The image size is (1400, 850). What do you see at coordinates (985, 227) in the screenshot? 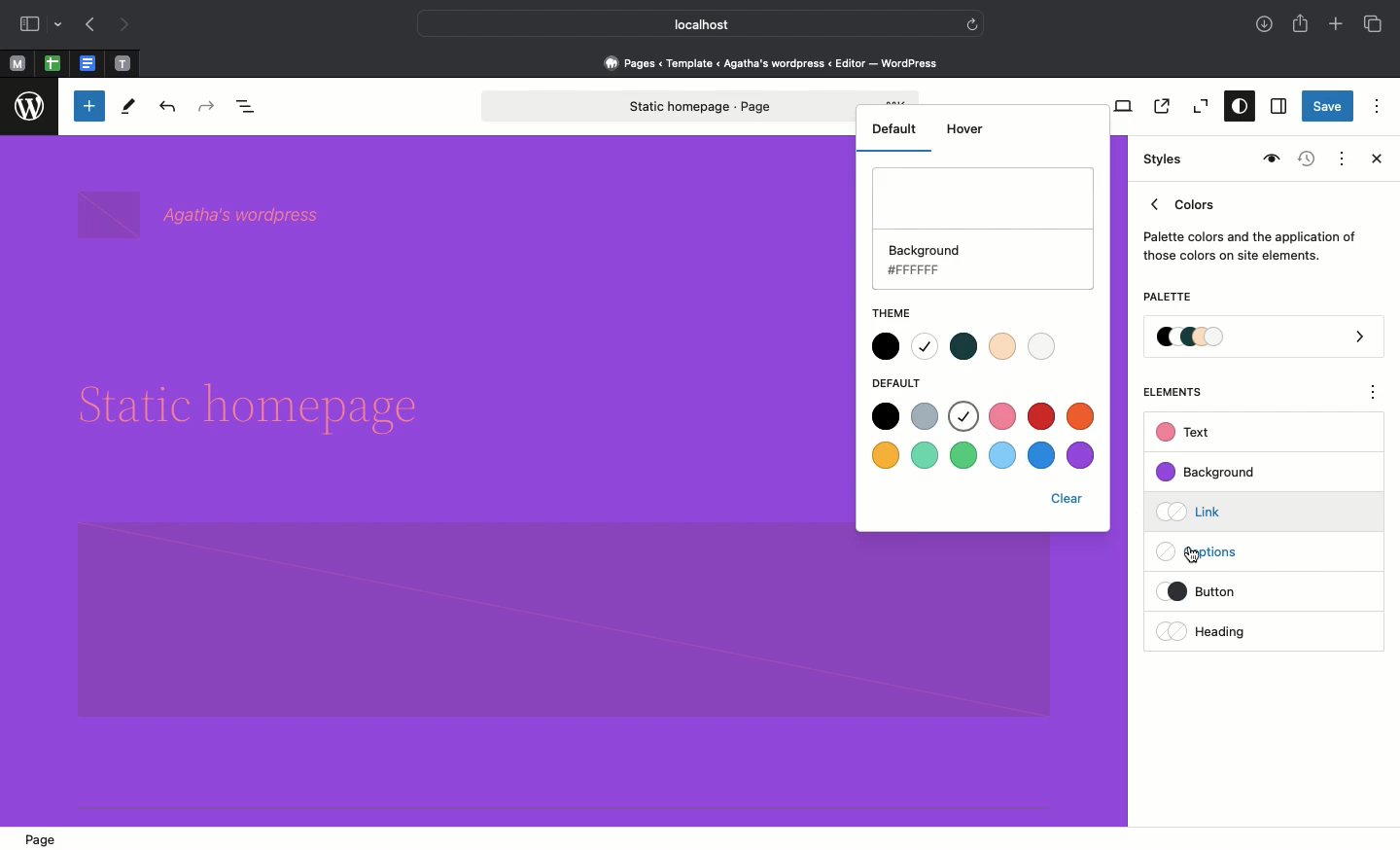
I see `White selected` at bounding box center [985, 227].